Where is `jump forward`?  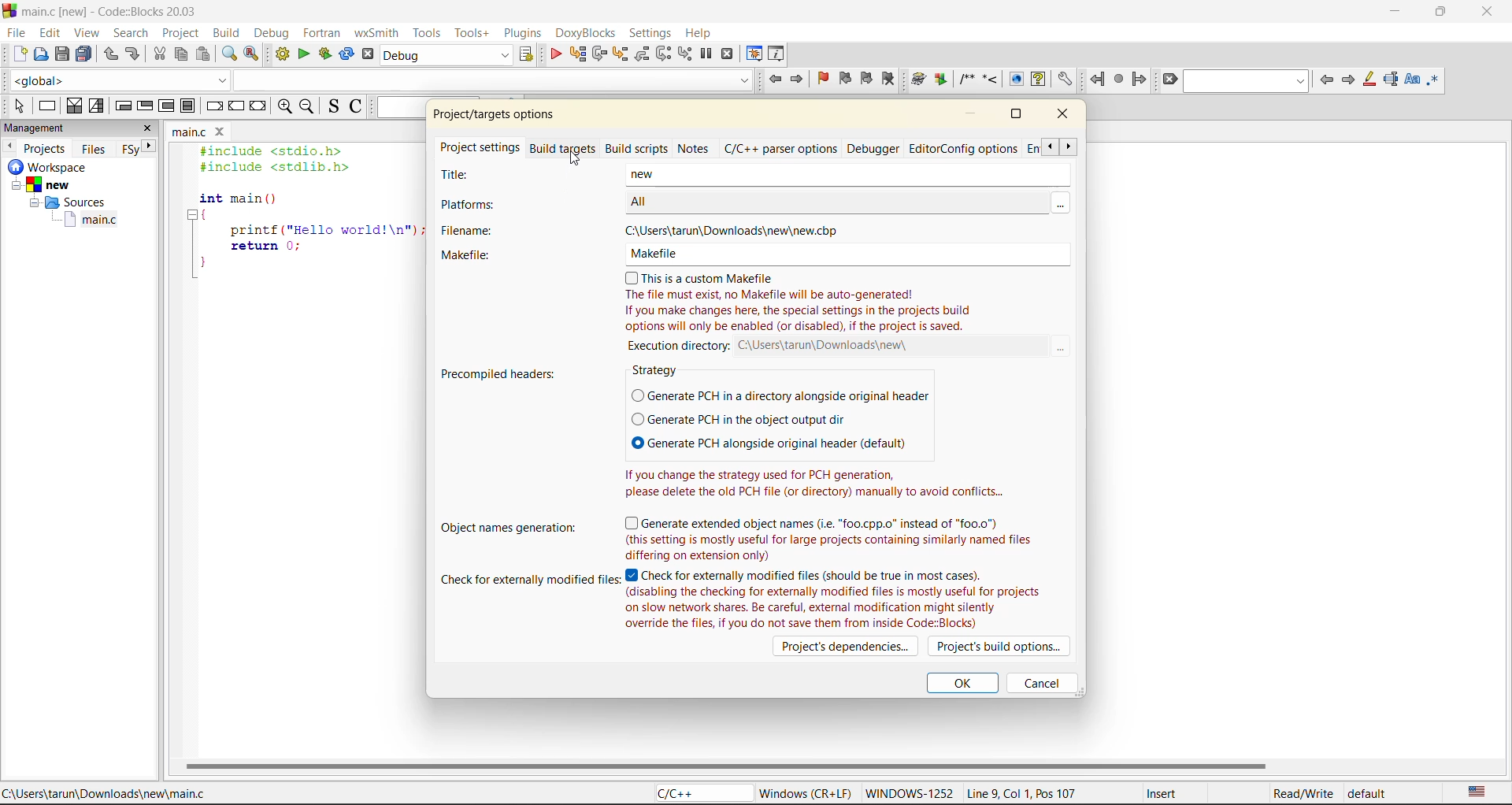
jump forward is located at coordinates (1139, 79).